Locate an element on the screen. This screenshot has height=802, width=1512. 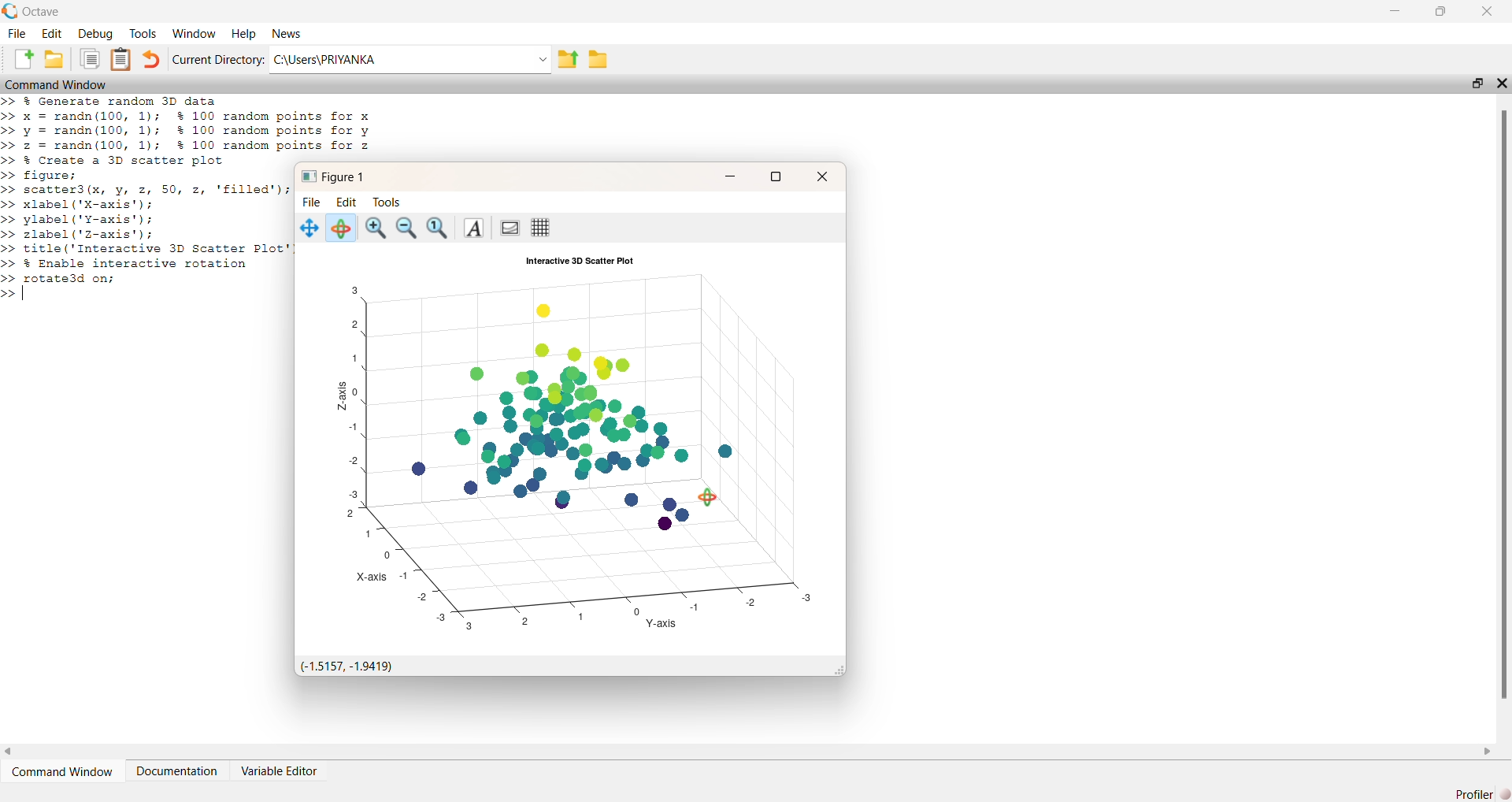
Command Window is located at coordinates (61, 771).